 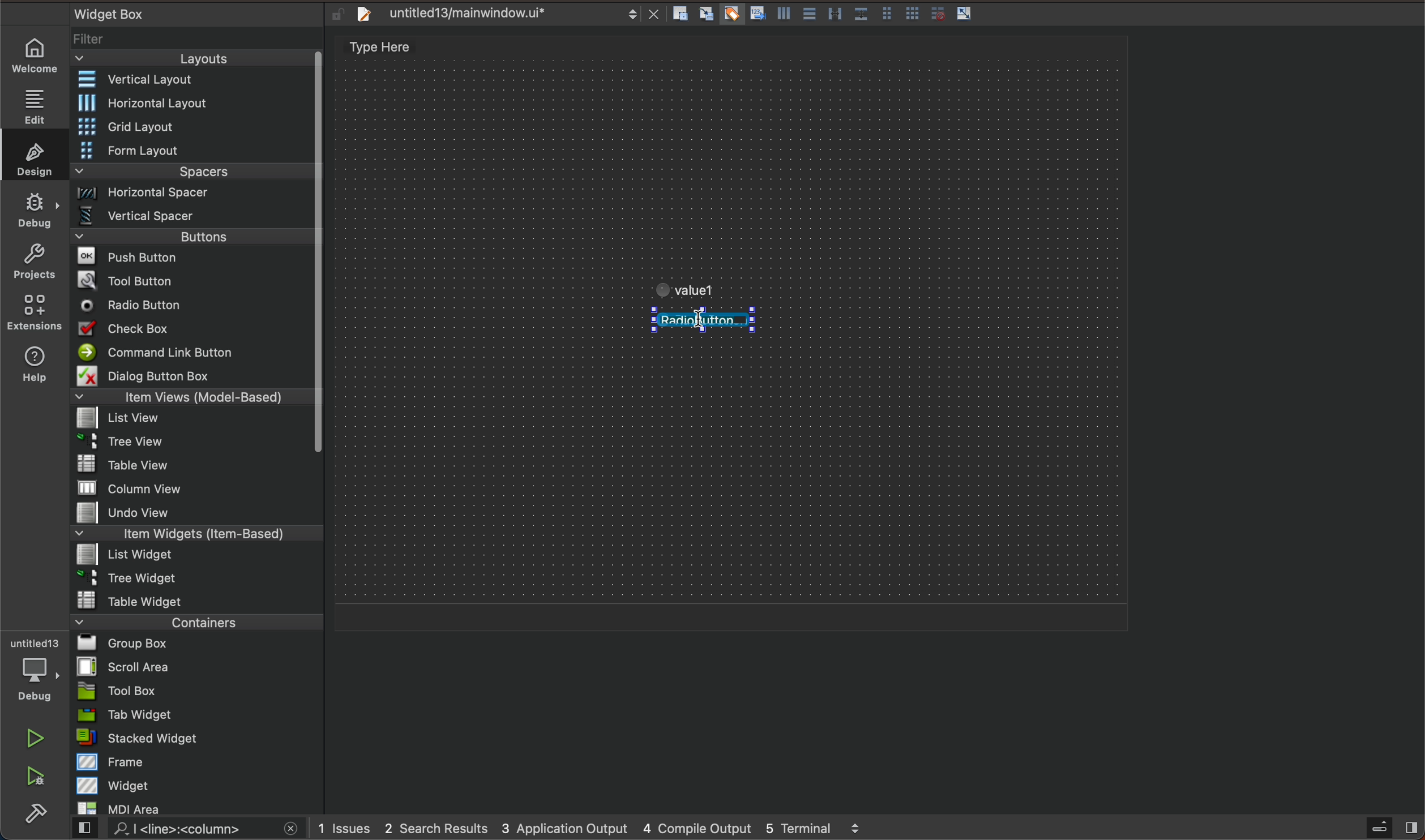 I want to click on undo view, so click(x=197, y=512).